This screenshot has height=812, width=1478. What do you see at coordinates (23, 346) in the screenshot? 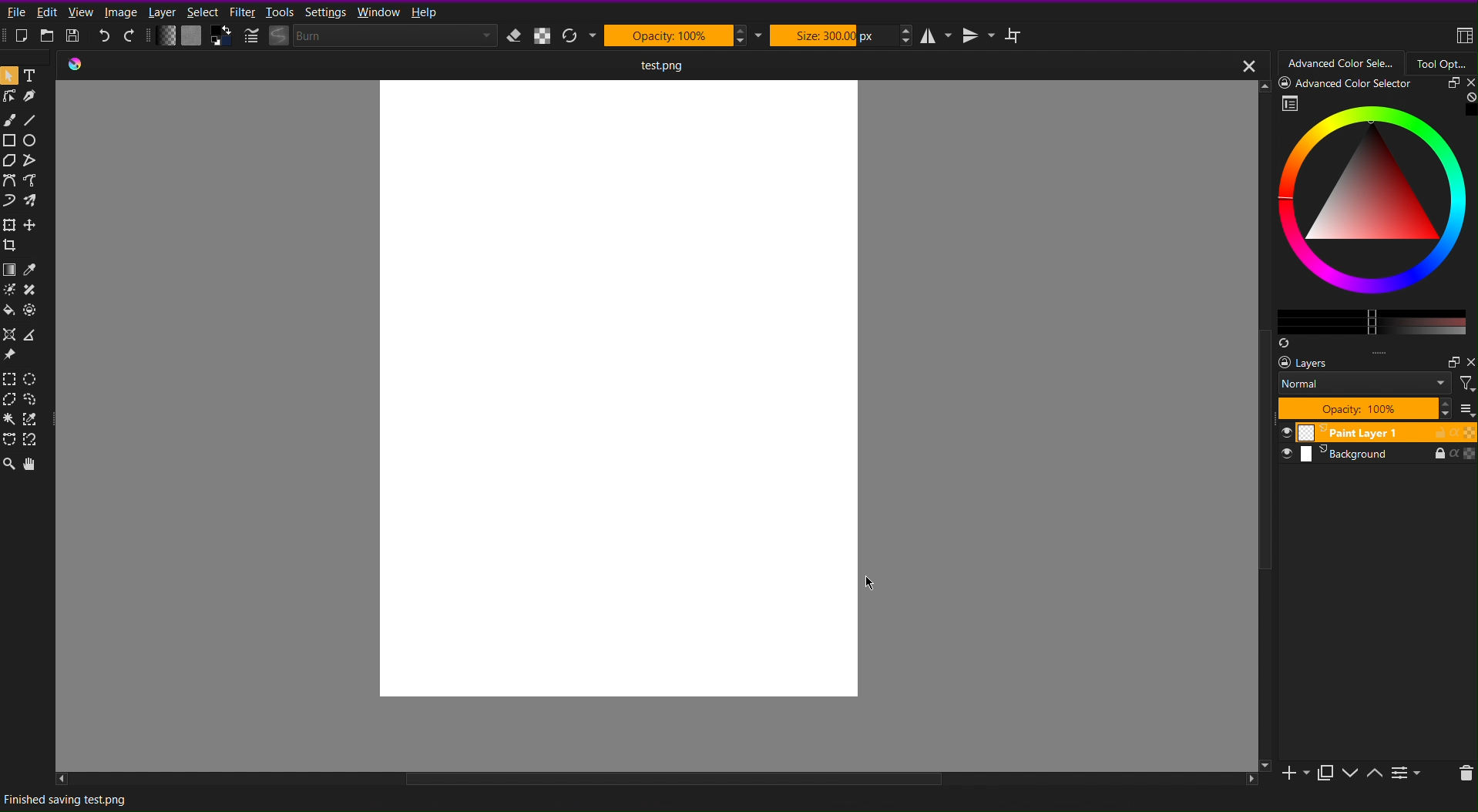
I see `Assistant Tools` at bounding box center [23, 346].